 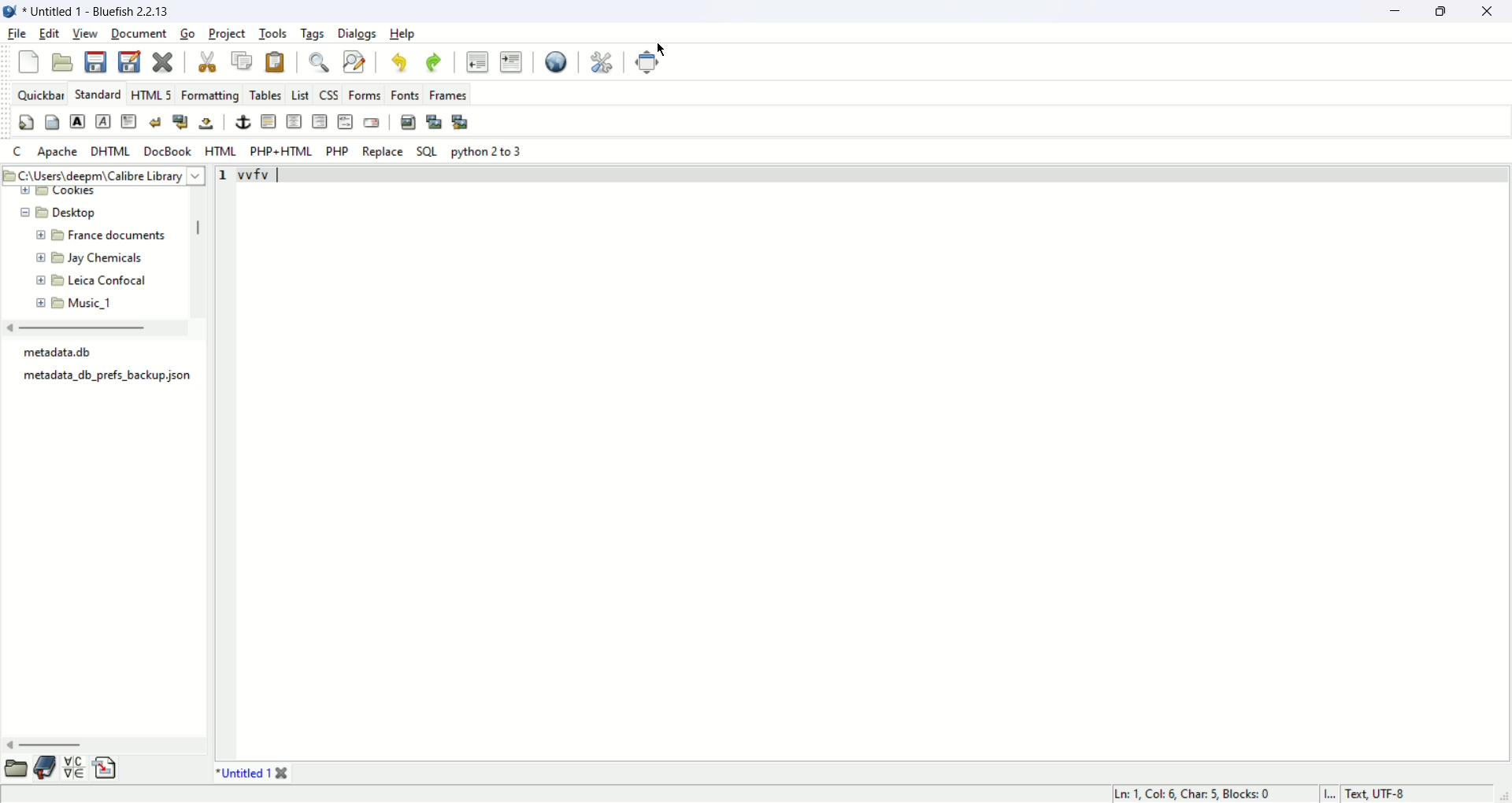 I want to click on minimize, so click(x=1395, y=13).